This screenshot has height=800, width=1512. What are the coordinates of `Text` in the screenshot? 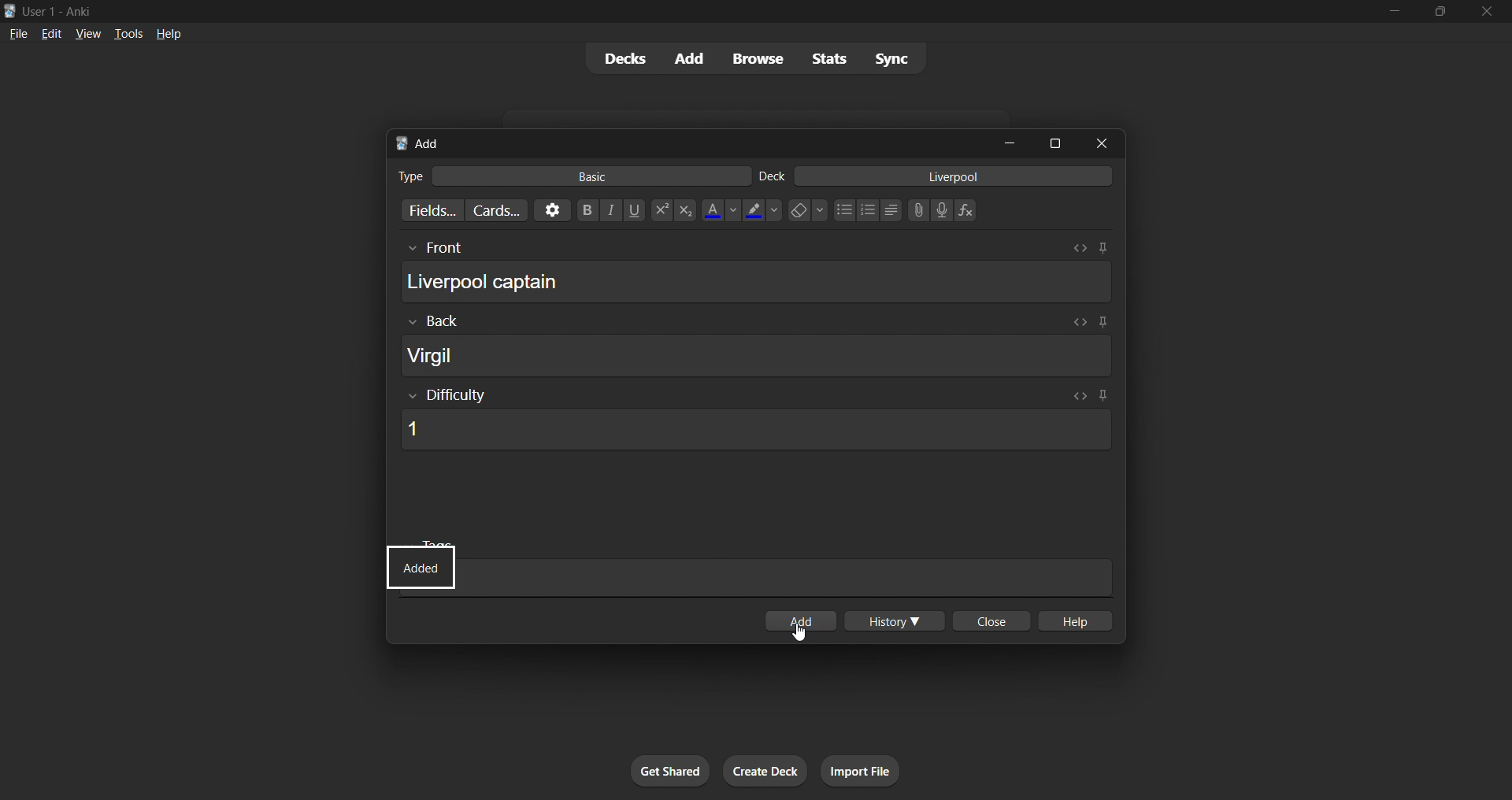 It's located at (409, 176).